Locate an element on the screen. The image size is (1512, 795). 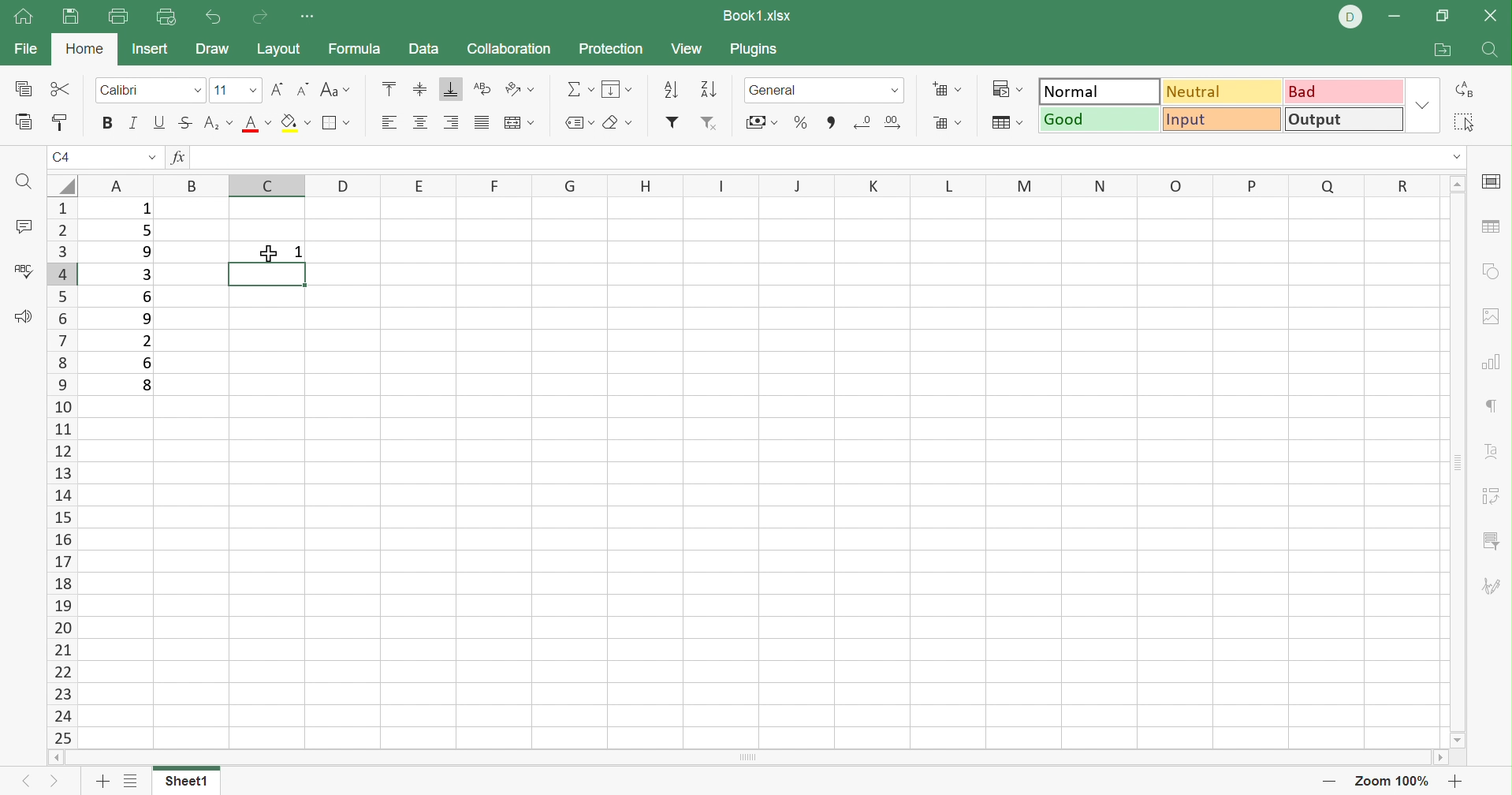
Open file location is located at coordinates (1443, 50).